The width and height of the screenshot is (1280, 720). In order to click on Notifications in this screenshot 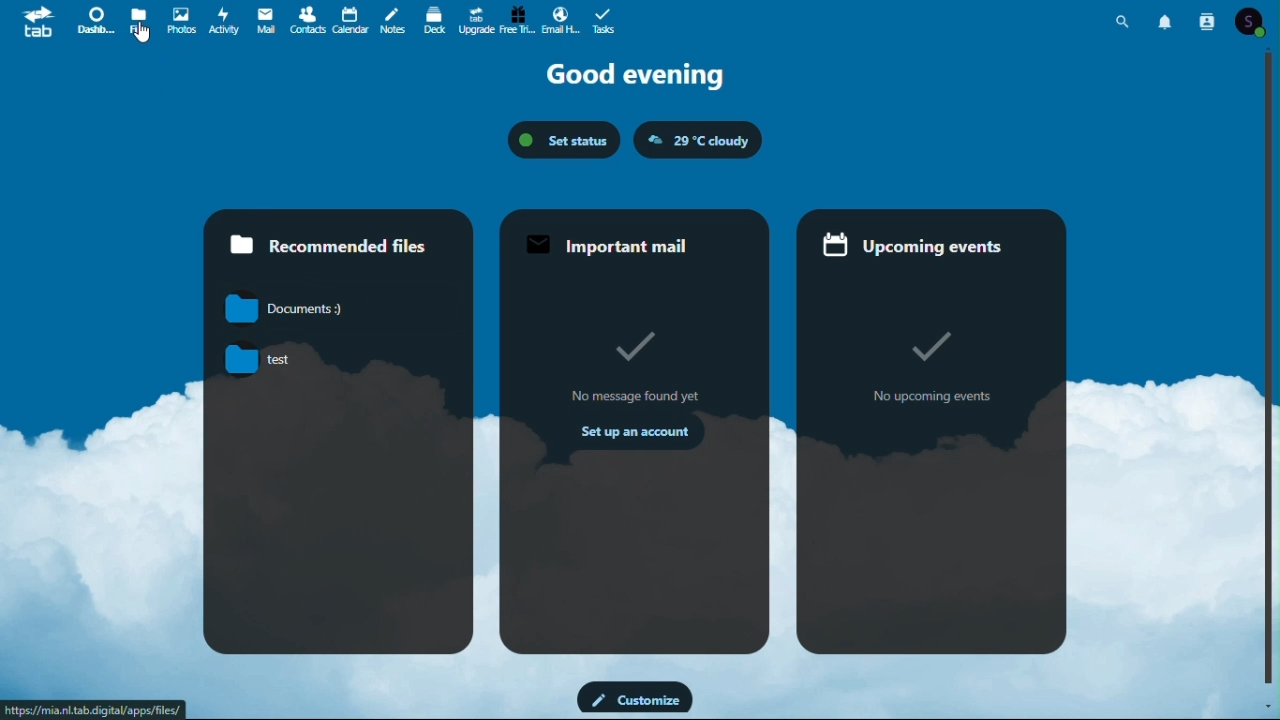, I will do `click(1167, 19)`.